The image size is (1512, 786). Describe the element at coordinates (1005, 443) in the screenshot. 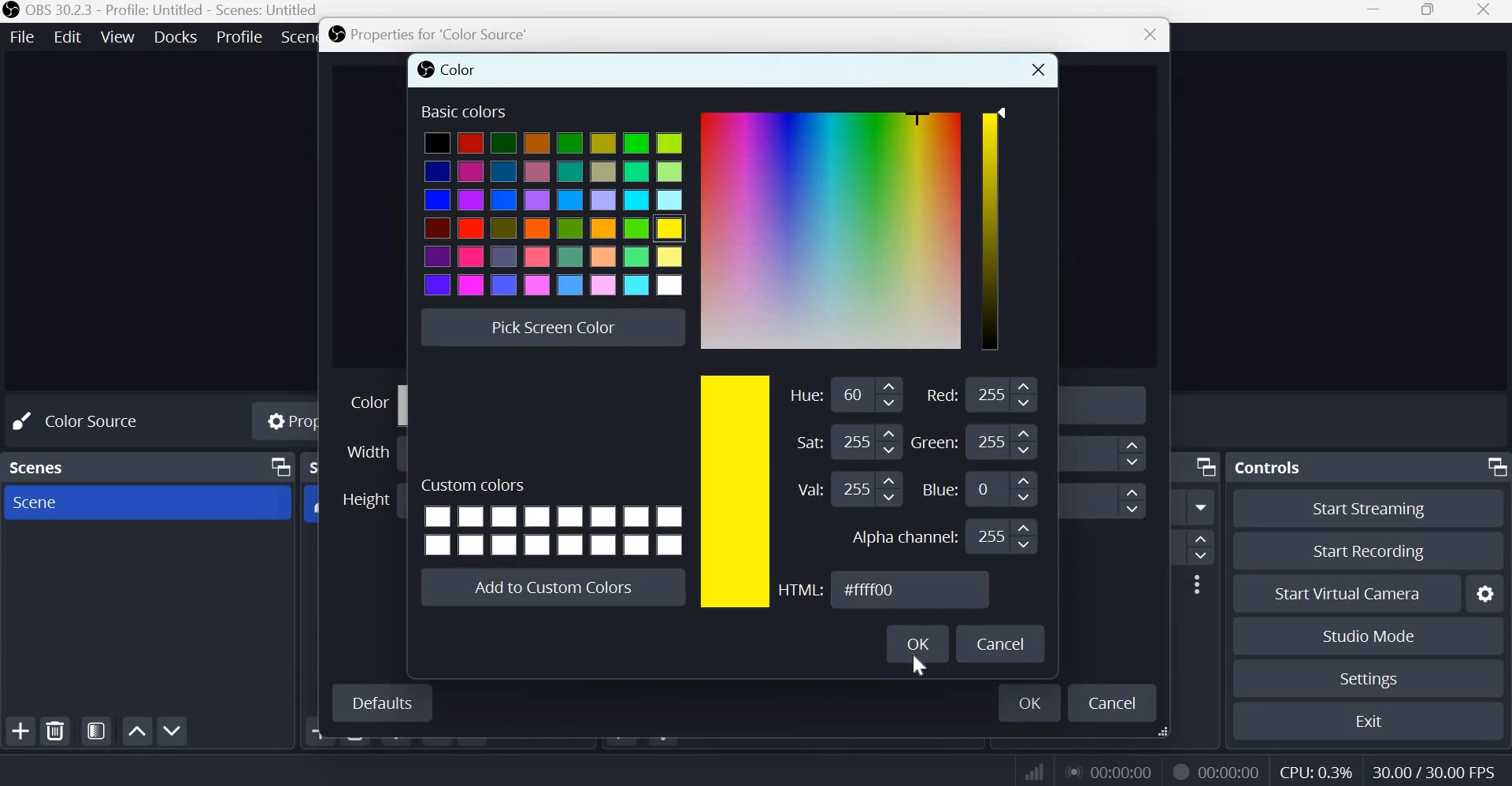

I see `Input ` at that location.